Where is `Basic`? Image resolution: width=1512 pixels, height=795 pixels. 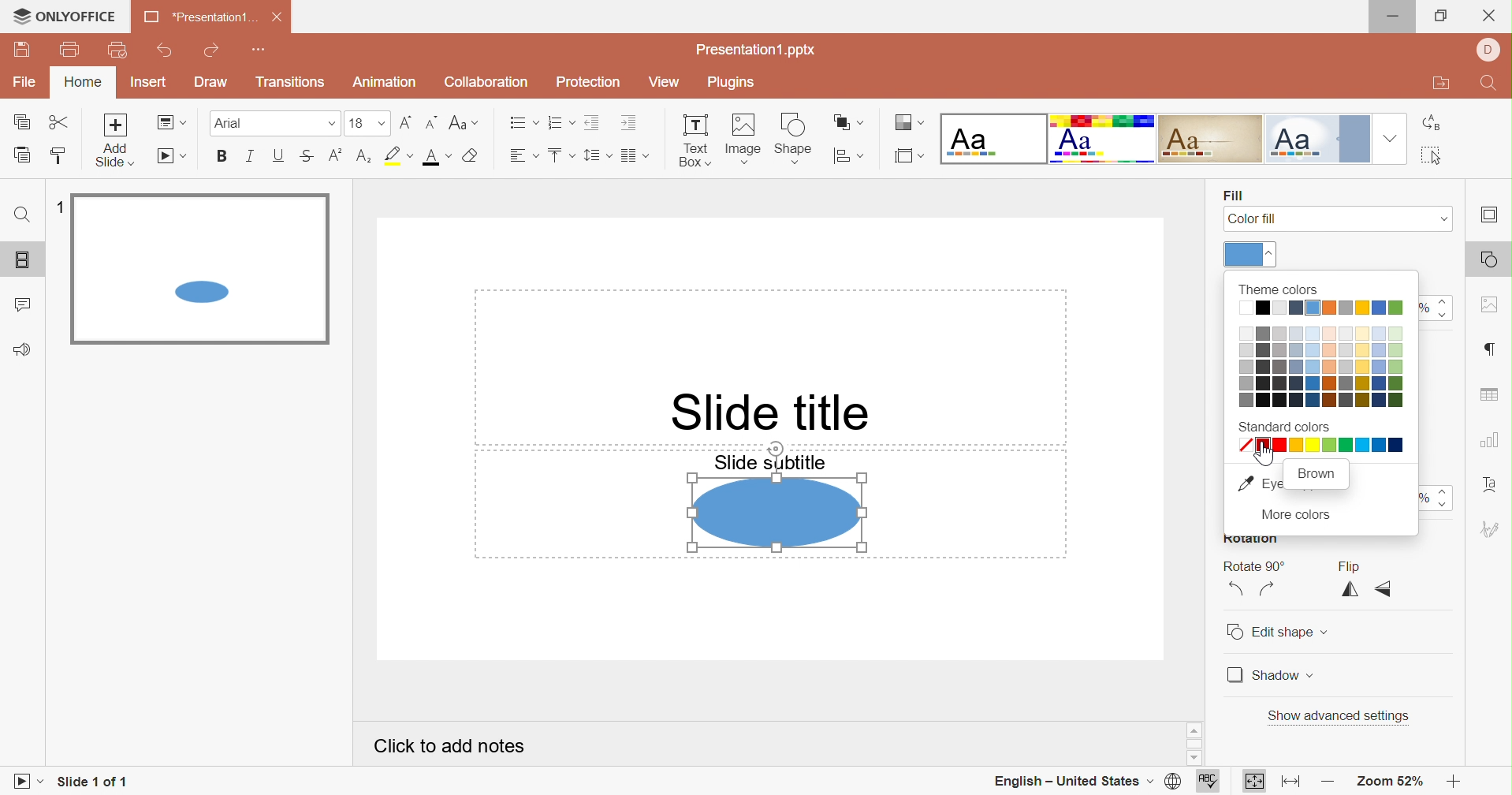
Basic is located at coordinates (1103, 140).